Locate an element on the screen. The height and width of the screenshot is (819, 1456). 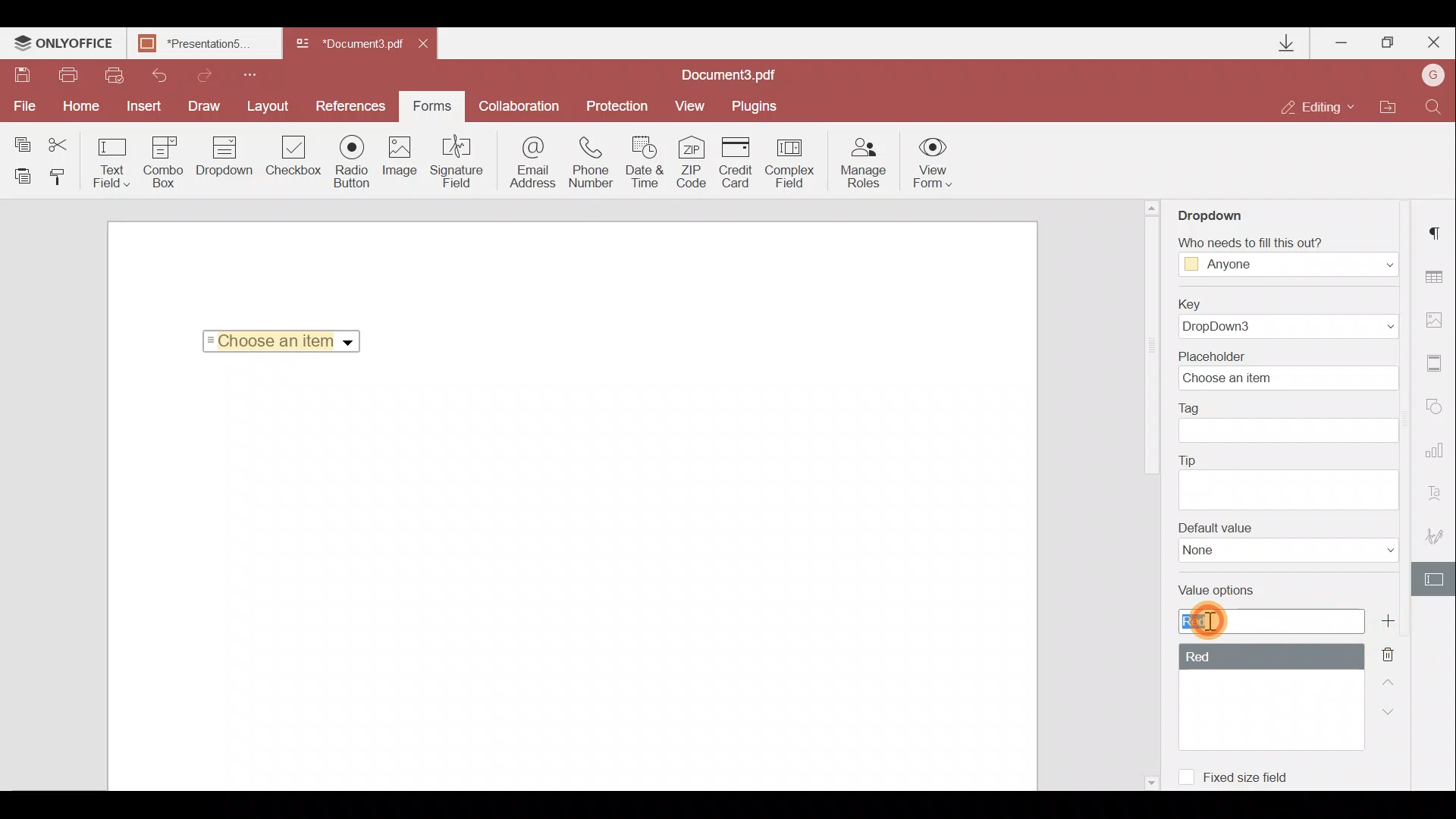
Key is located at coordinates (1292, 317).